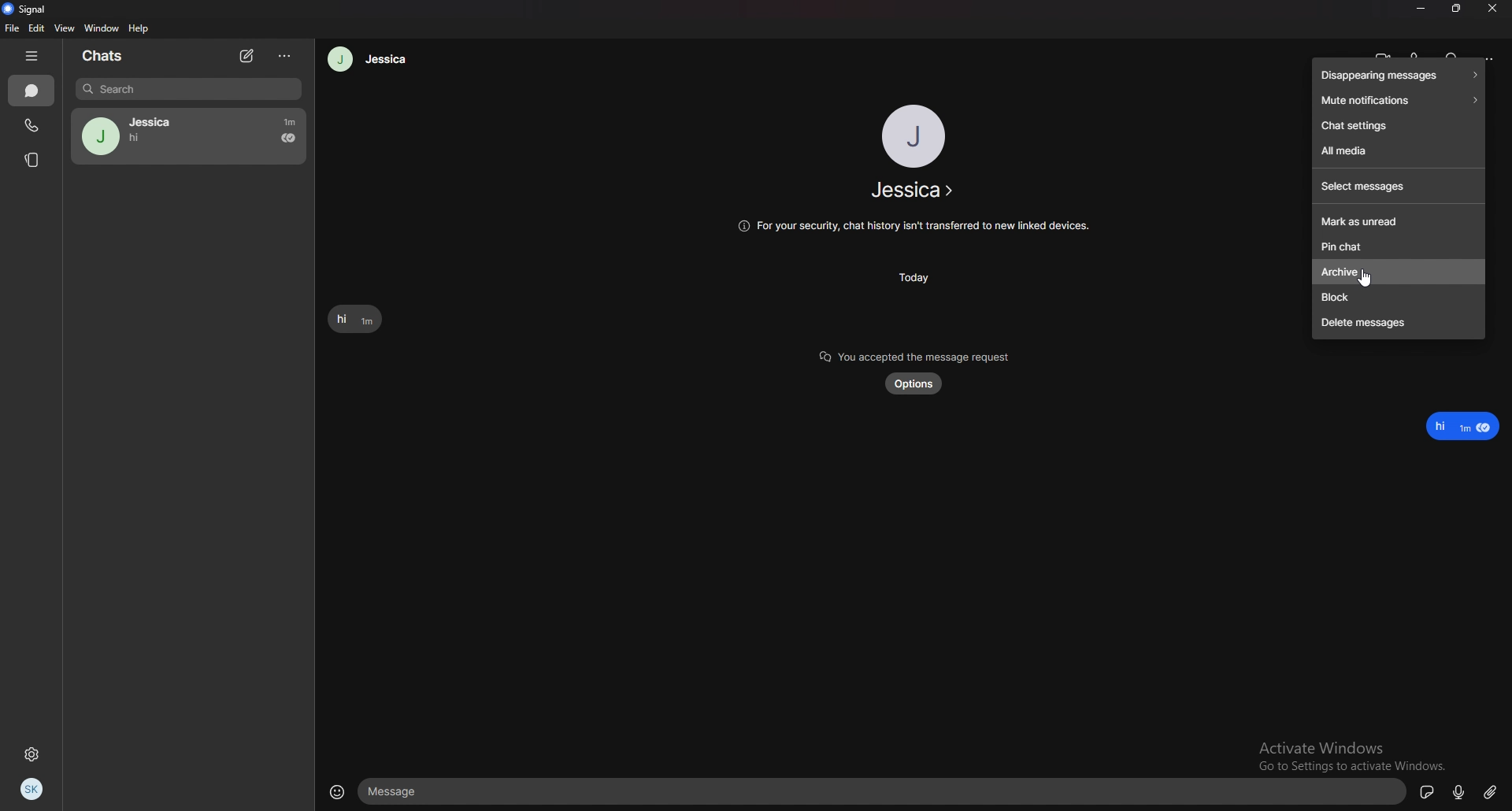 This screenshot has width=1512, height=811. I want to click on mark as unread, so click(1398, 220).